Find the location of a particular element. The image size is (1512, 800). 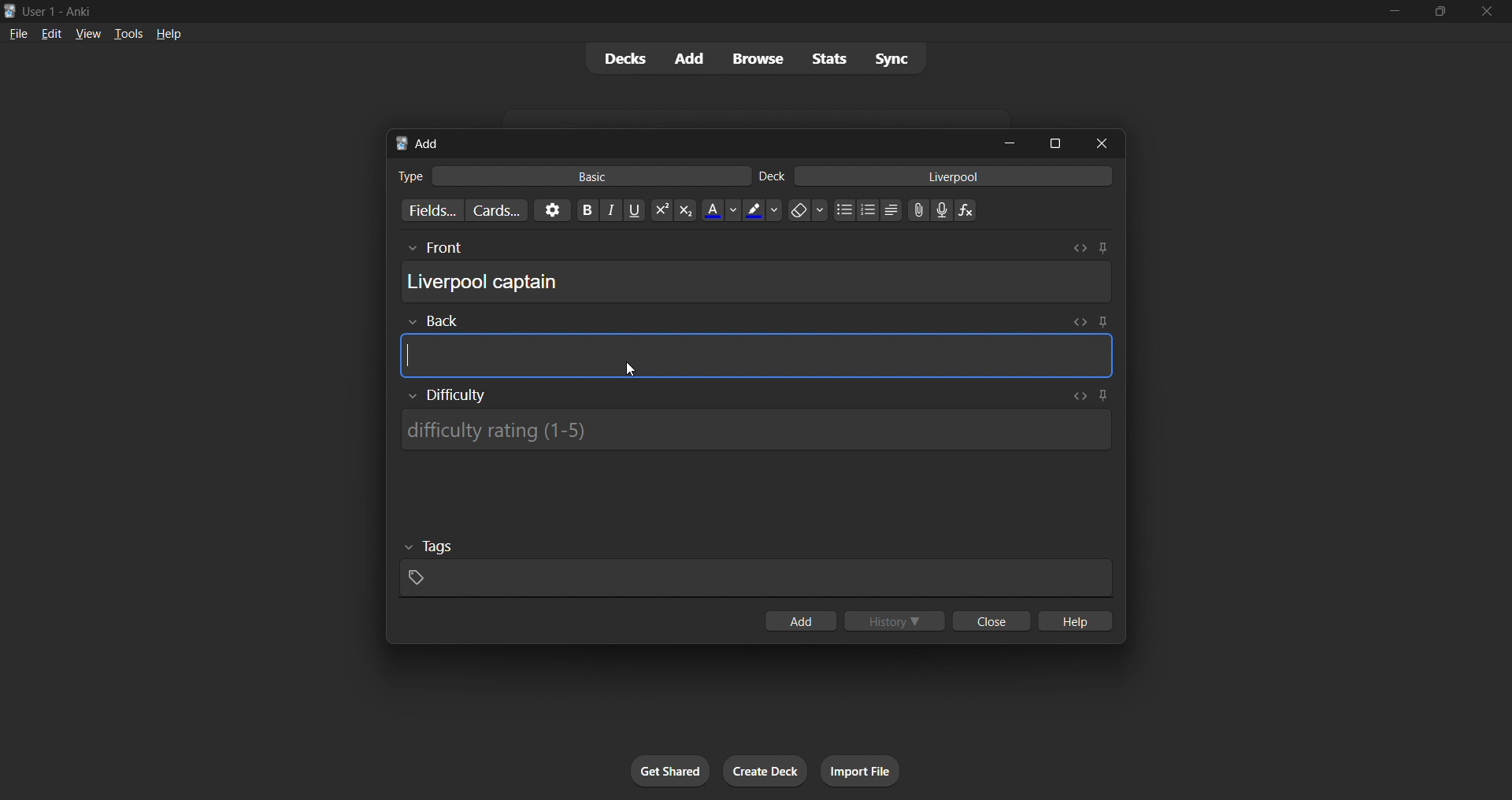

customize card templates is located at coordinates (496, 211).